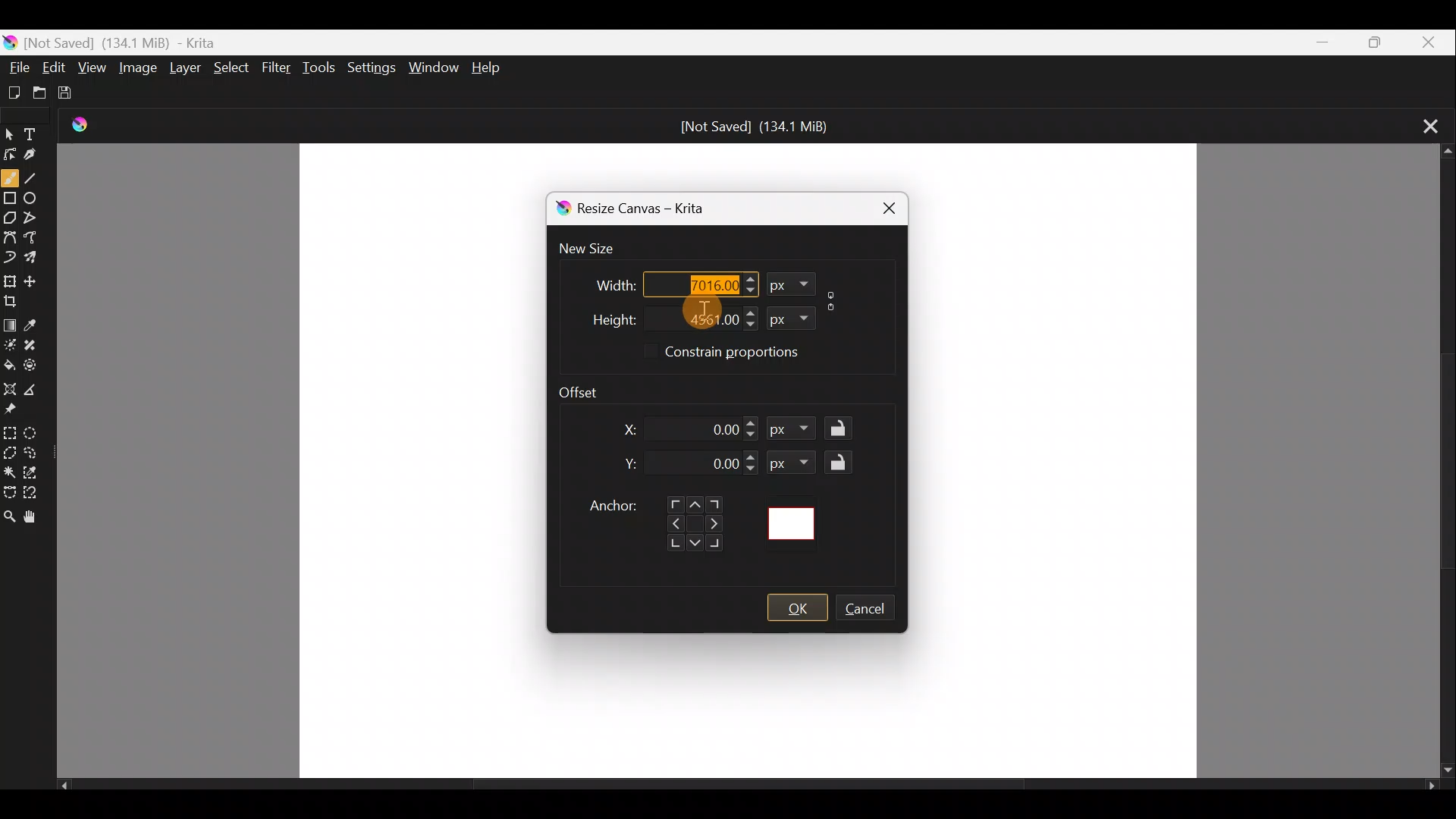 The height and width of the screenshot is (819, 1456). Describe the element at coordinates (10, 177) in the screenshot. I see `Freehand brush tool` at that location.